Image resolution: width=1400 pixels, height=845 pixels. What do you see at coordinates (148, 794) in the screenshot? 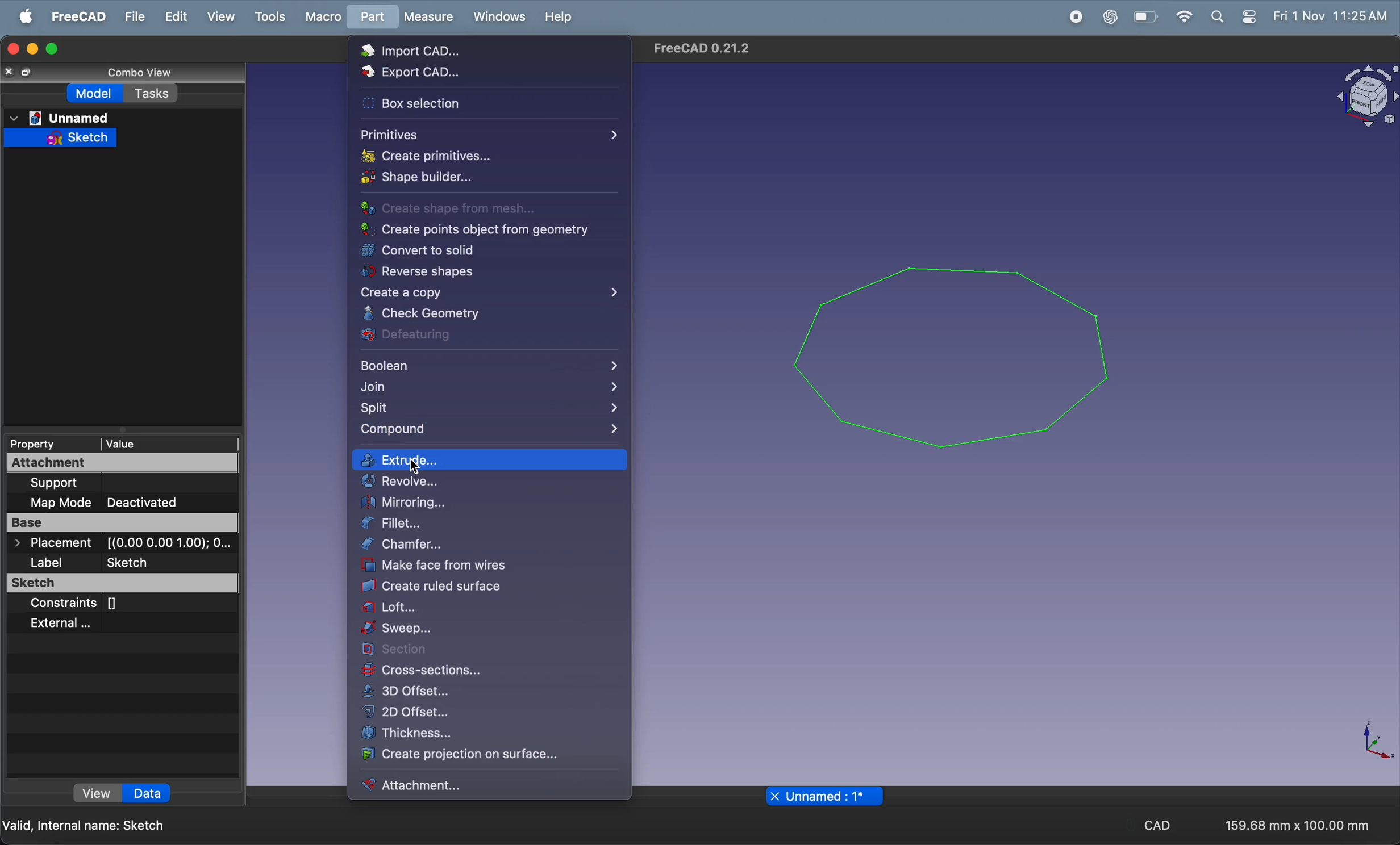
I see `data` at bounding box center [148, 794].